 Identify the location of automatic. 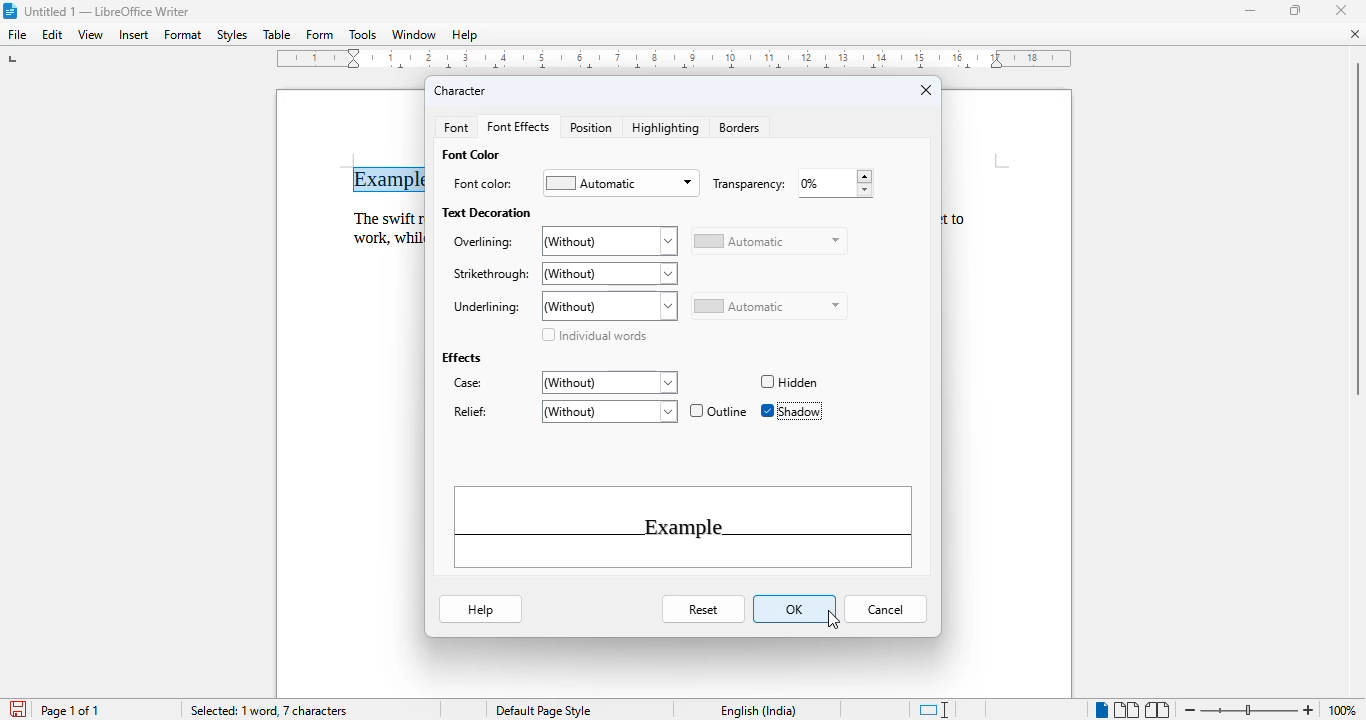
(769, 241).